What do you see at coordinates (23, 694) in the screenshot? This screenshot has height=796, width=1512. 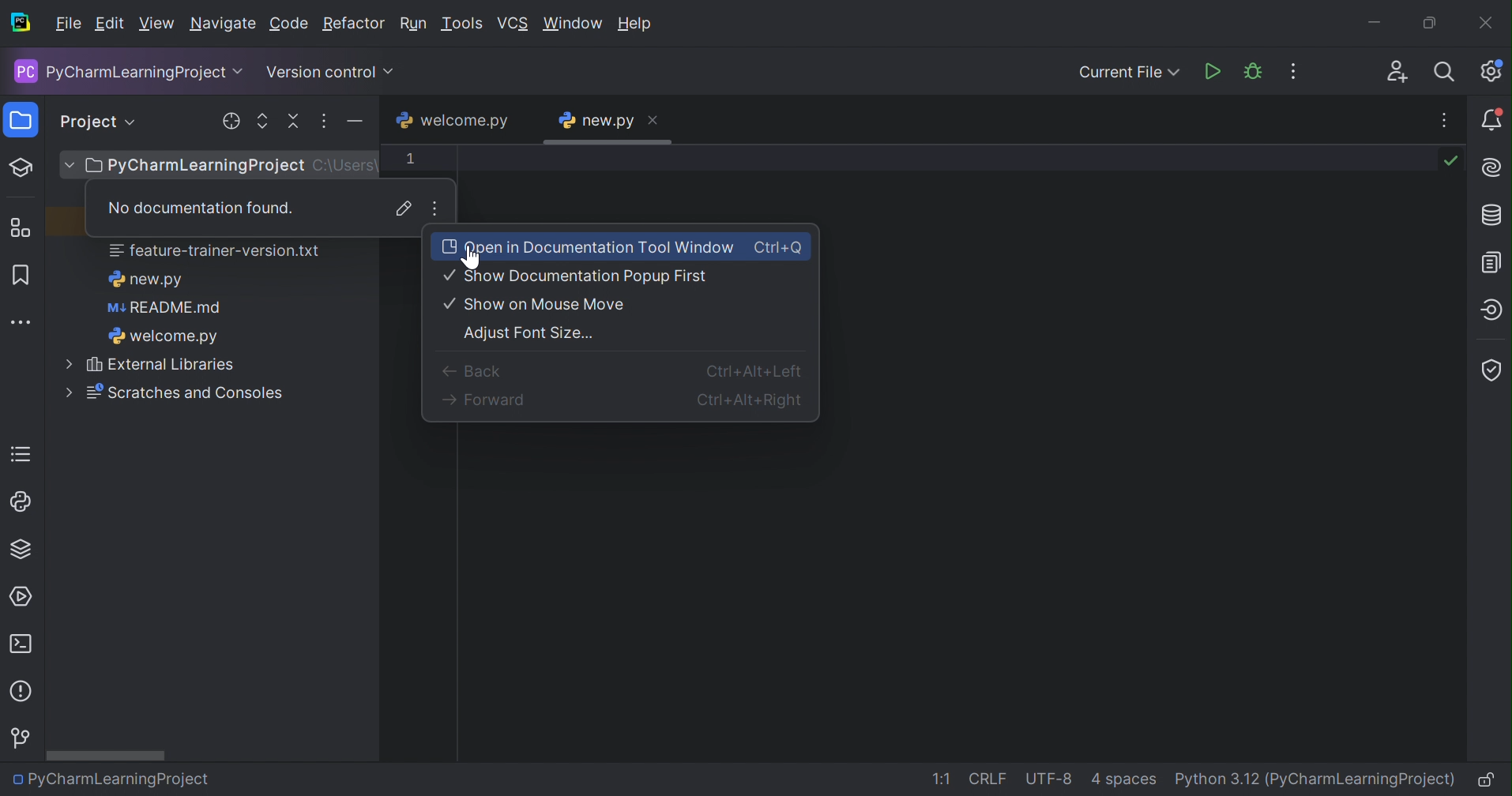 I see `Problems` at bounding box center [23, 694].